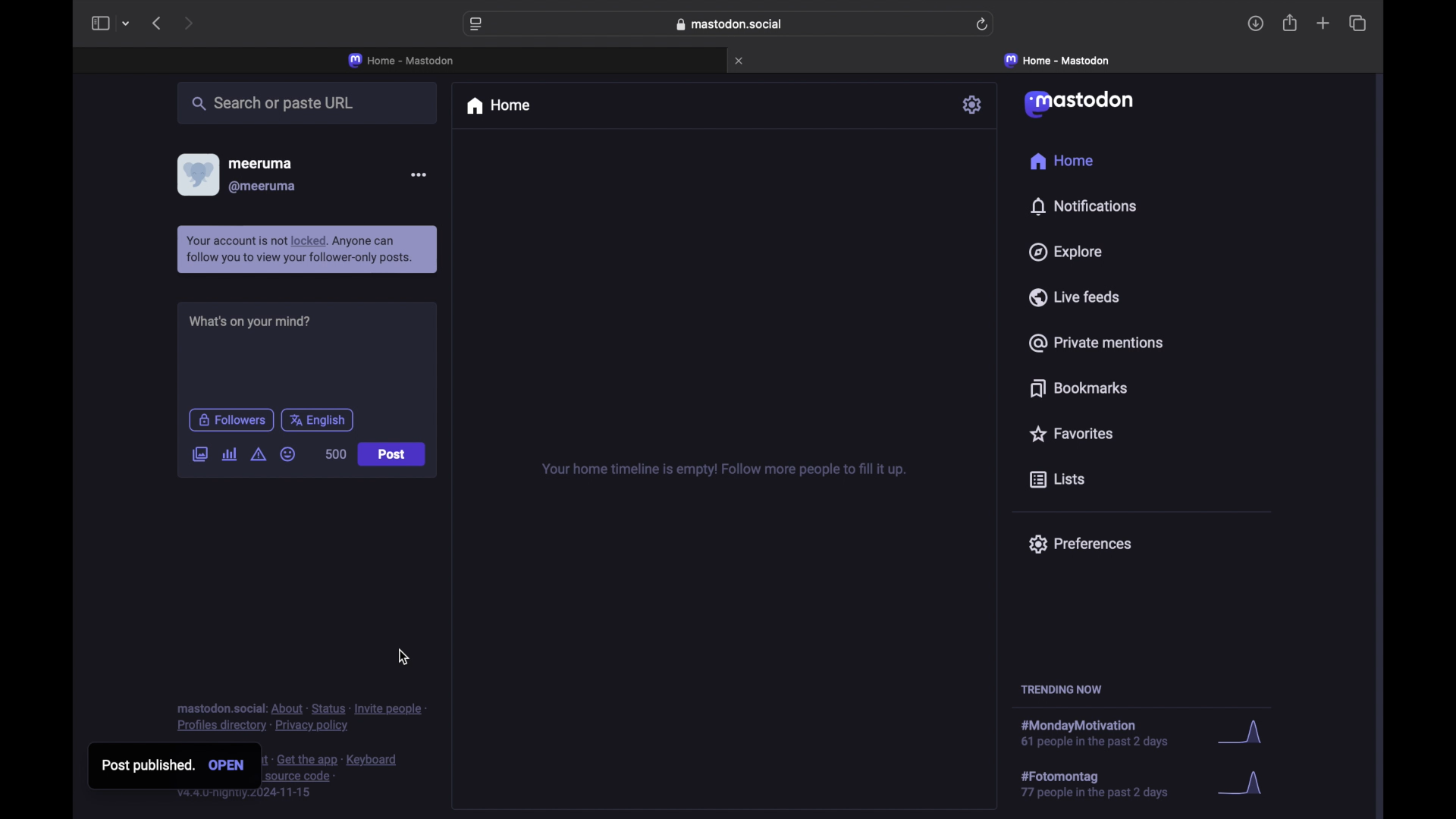 The height and width of the screenshot is (819, 1456). Describe the element at coordinates (258, 453) in the screenshot. I see `add content  warning` at that location.